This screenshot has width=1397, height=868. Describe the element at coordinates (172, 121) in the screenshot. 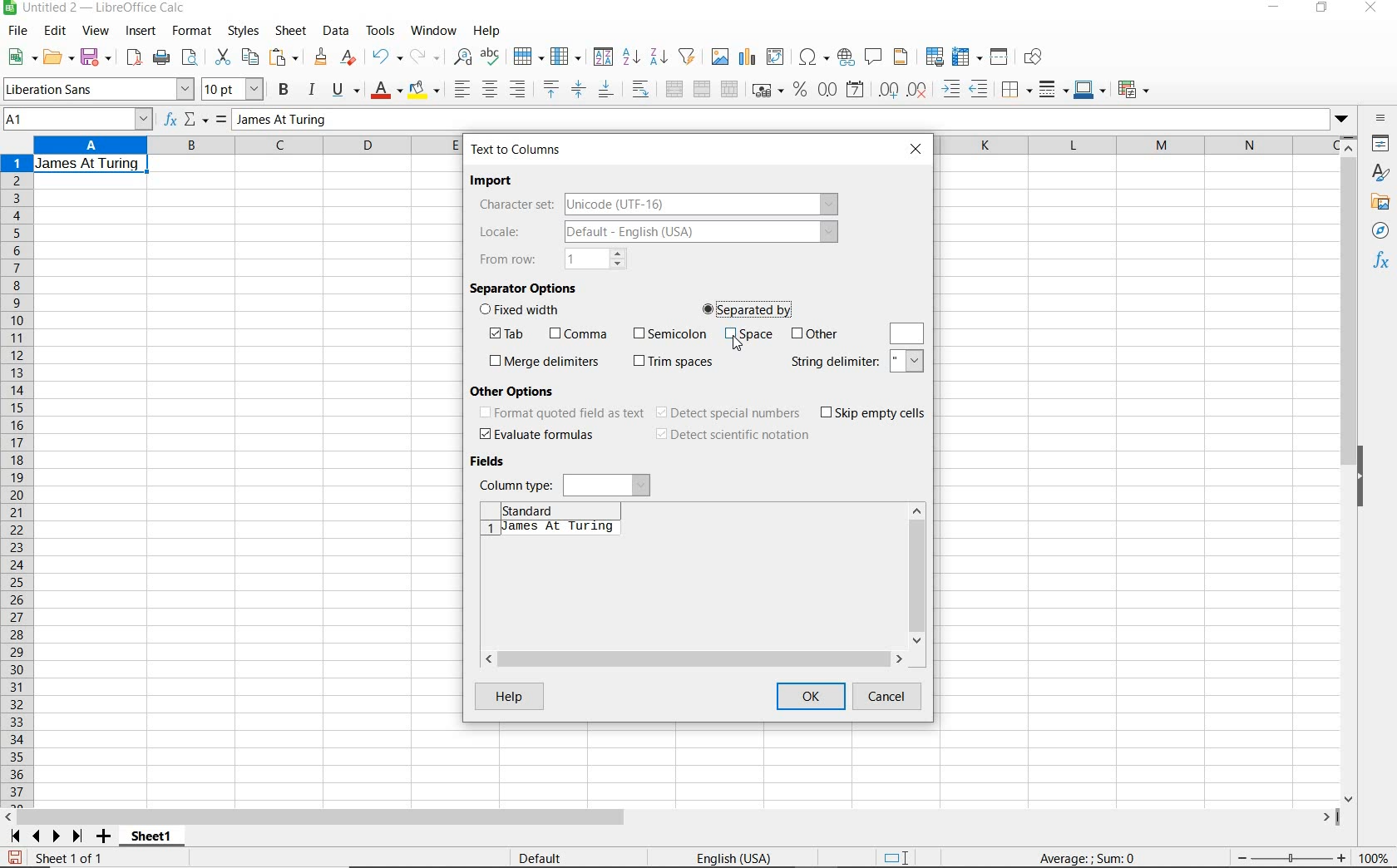

I see `function wizard` at that location.